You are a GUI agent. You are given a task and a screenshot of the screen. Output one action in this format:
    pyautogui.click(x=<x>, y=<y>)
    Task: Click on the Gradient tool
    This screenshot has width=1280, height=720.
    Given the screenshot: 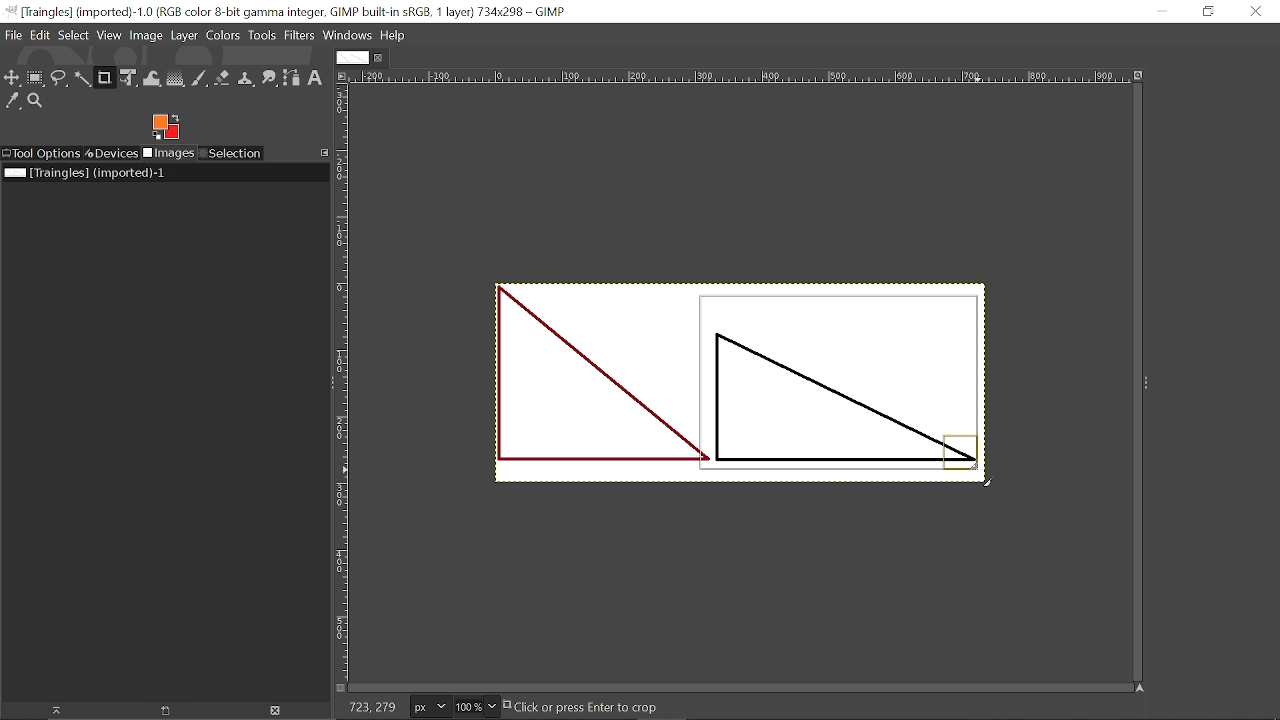 What is the action you would take?
    pyautogui.click(x=176, y=78)
    